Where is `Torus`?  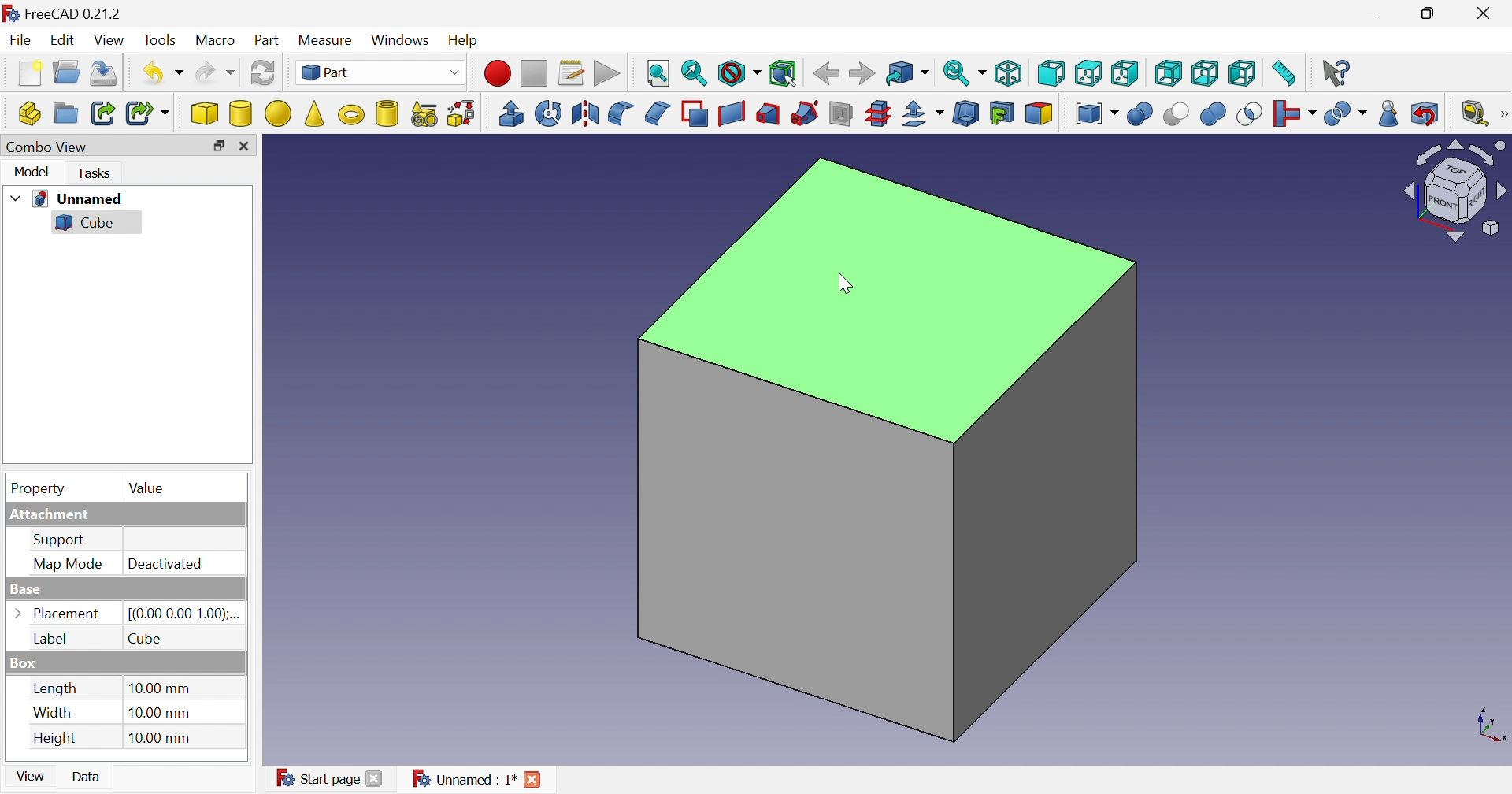
Torus is located at coordinates (354, 117).